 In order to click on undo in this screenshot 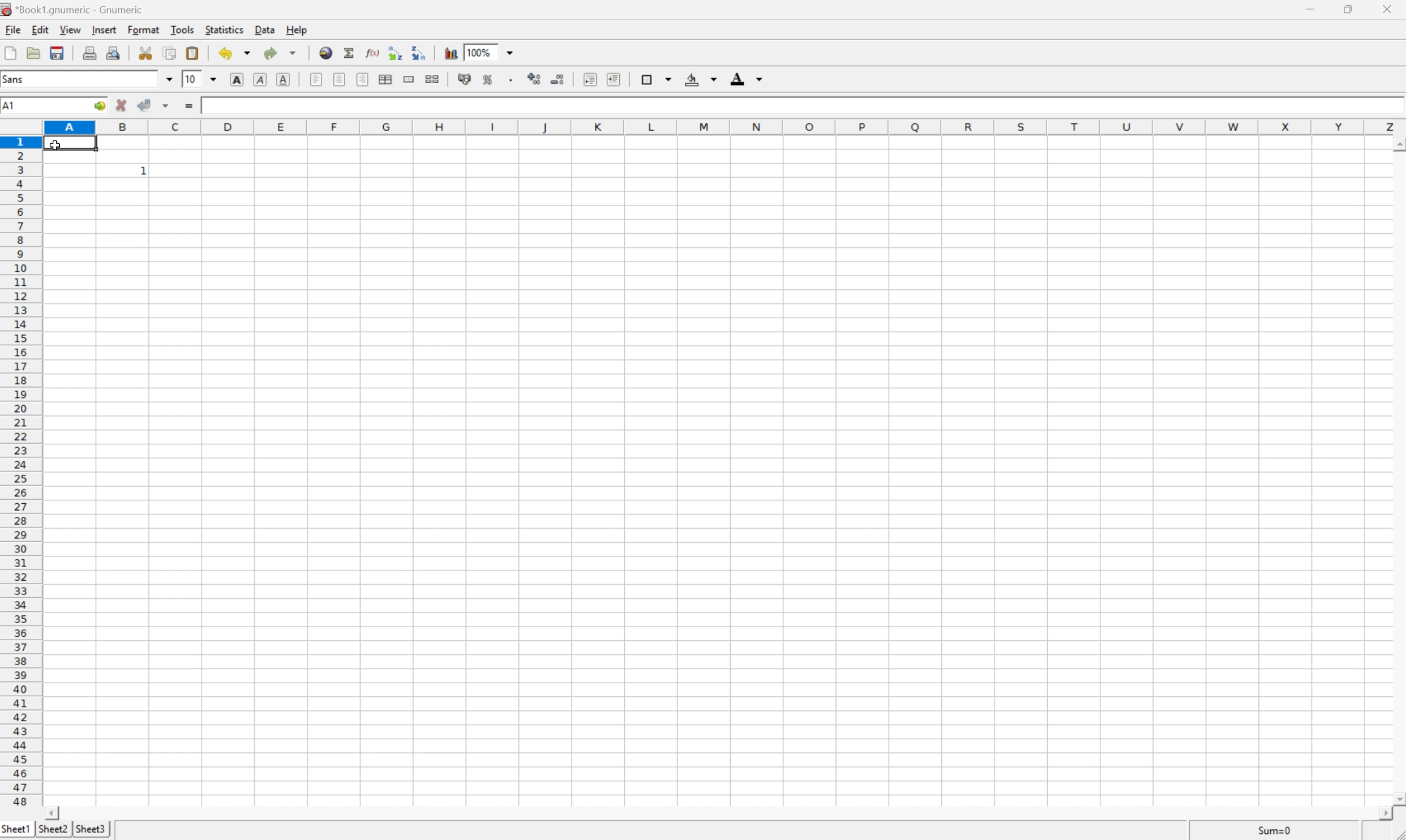, I will do `click(235, 53)`.